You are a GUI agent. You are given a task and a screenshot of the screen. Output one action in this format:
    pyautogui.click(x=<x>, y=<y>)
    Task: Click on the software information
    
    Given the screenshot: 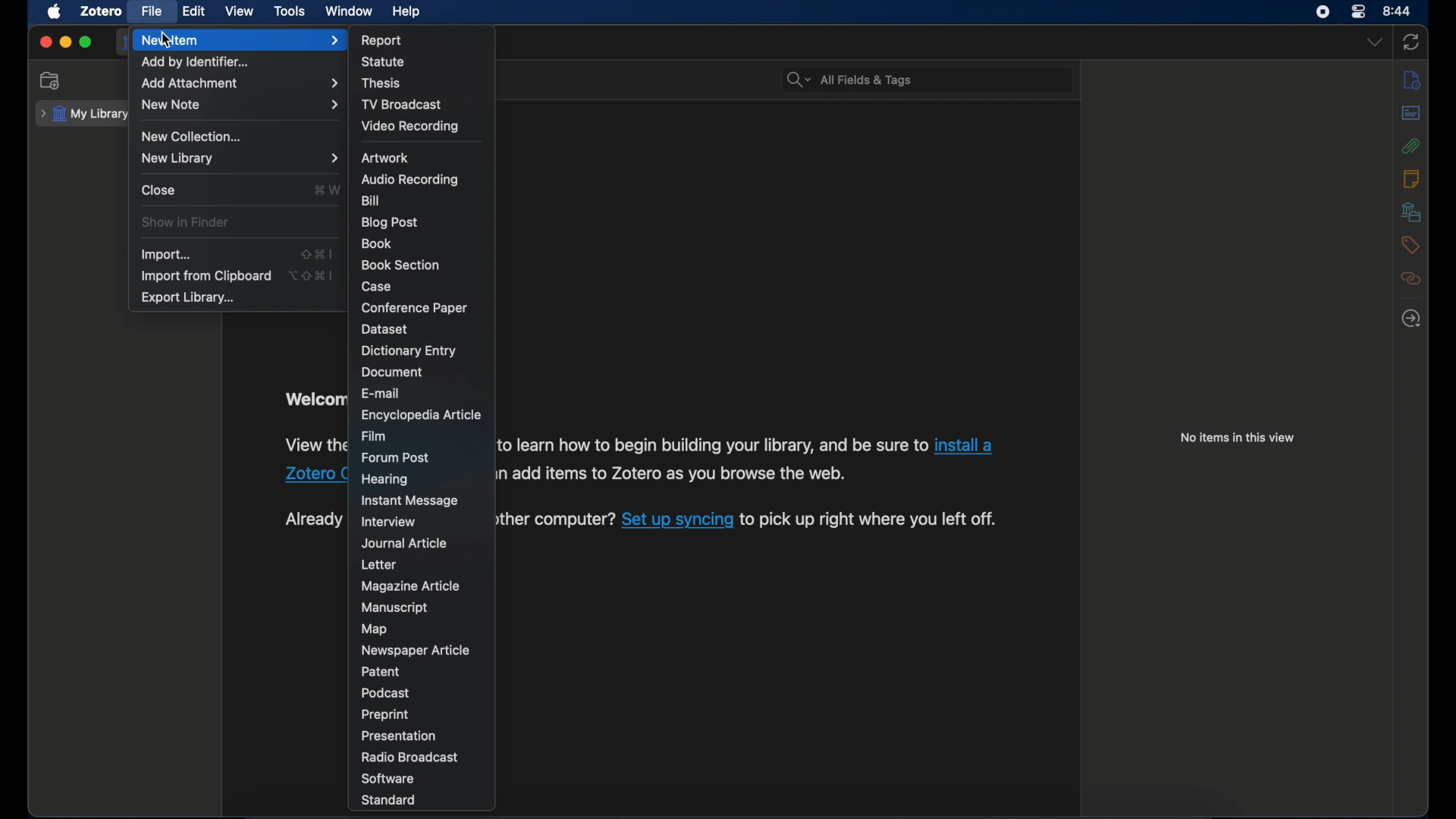 What is the action you would take?
    pyautogui.click(x=671, y=473)
    